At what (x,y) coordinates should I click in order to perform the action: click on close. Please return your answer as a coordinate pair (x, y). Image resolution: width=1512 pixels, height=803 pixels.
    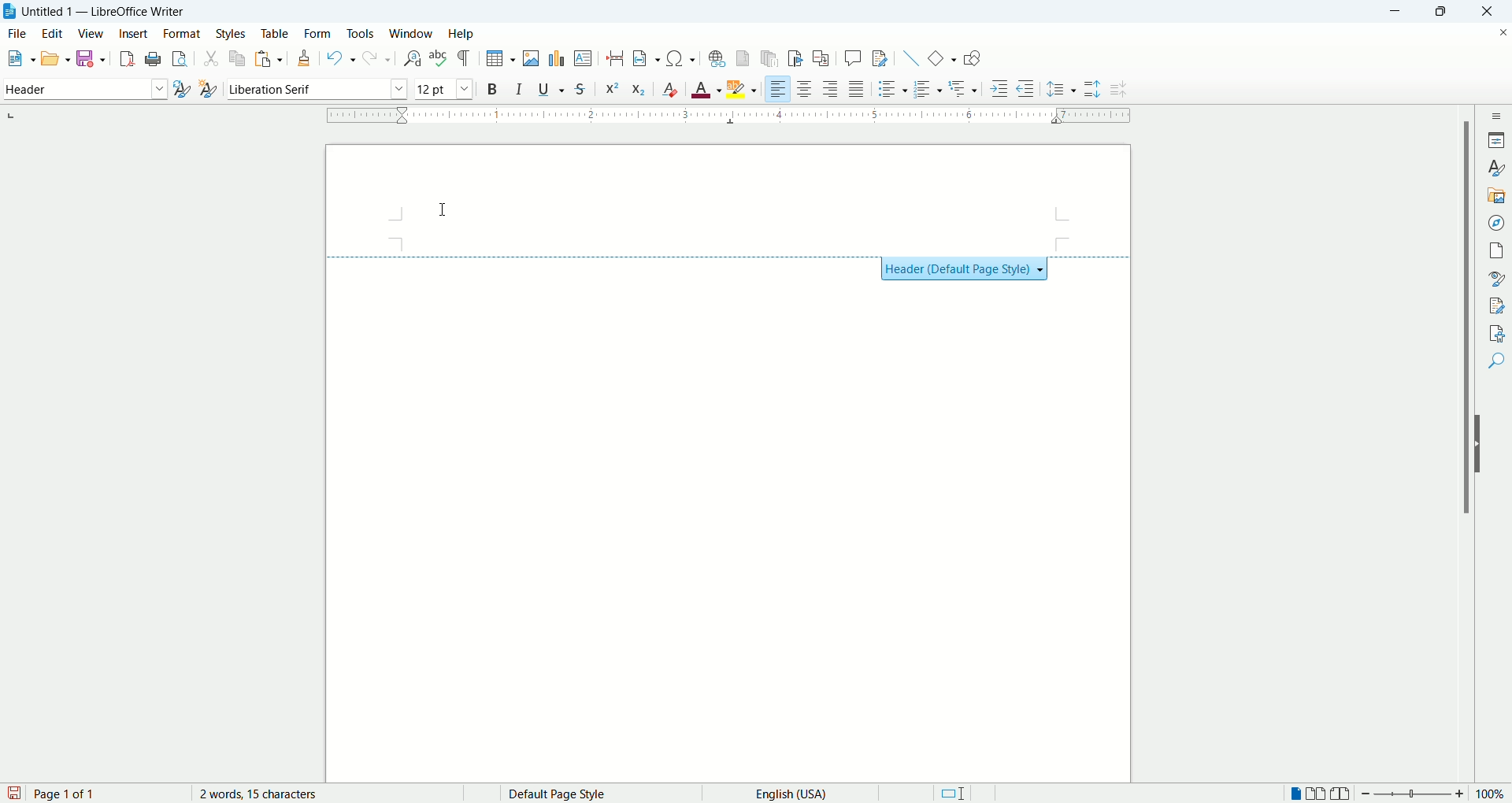
    Looking at the image, I should click on (1493, 12).